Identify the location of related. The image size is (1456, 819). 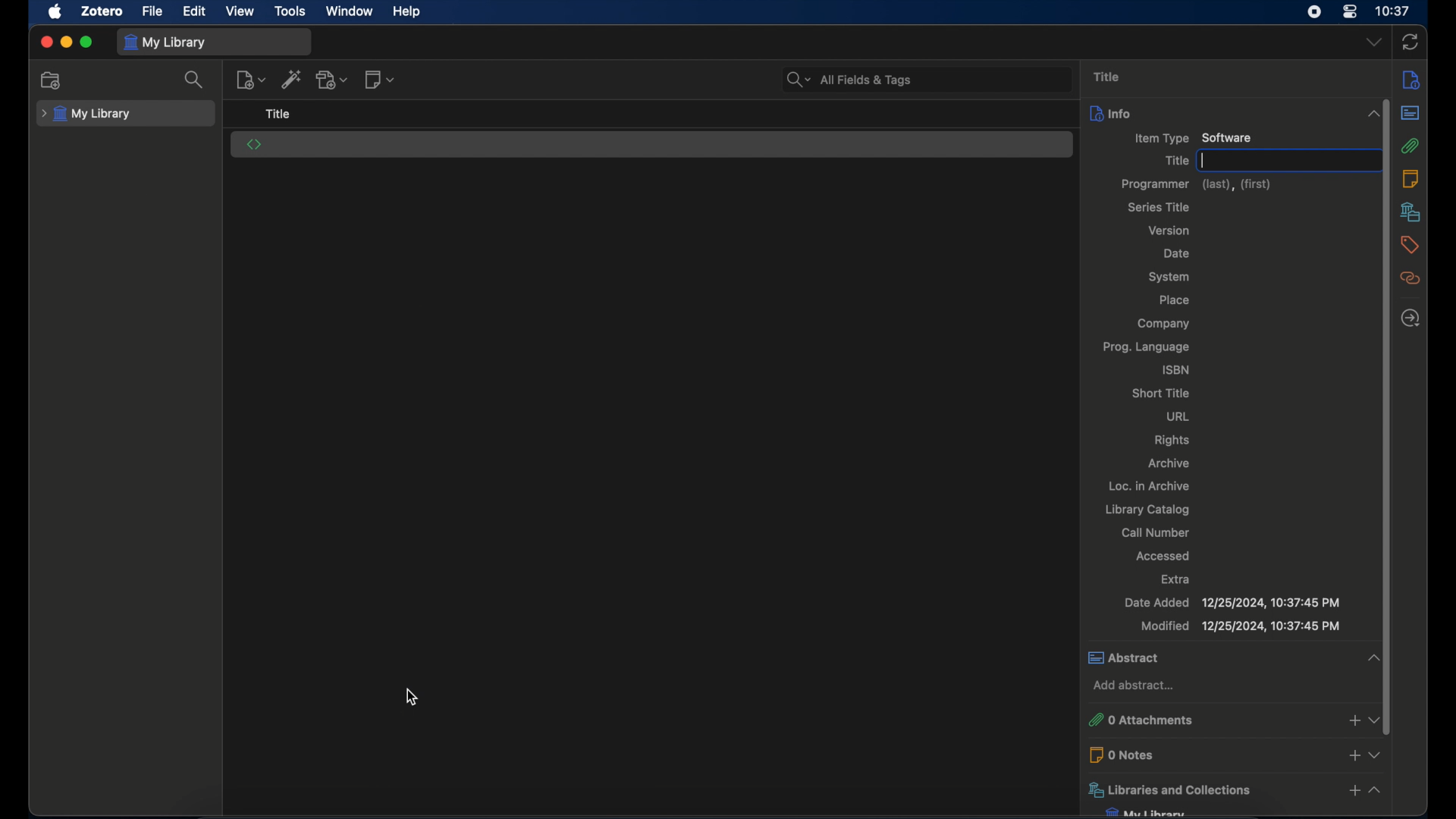
(1410, 278).